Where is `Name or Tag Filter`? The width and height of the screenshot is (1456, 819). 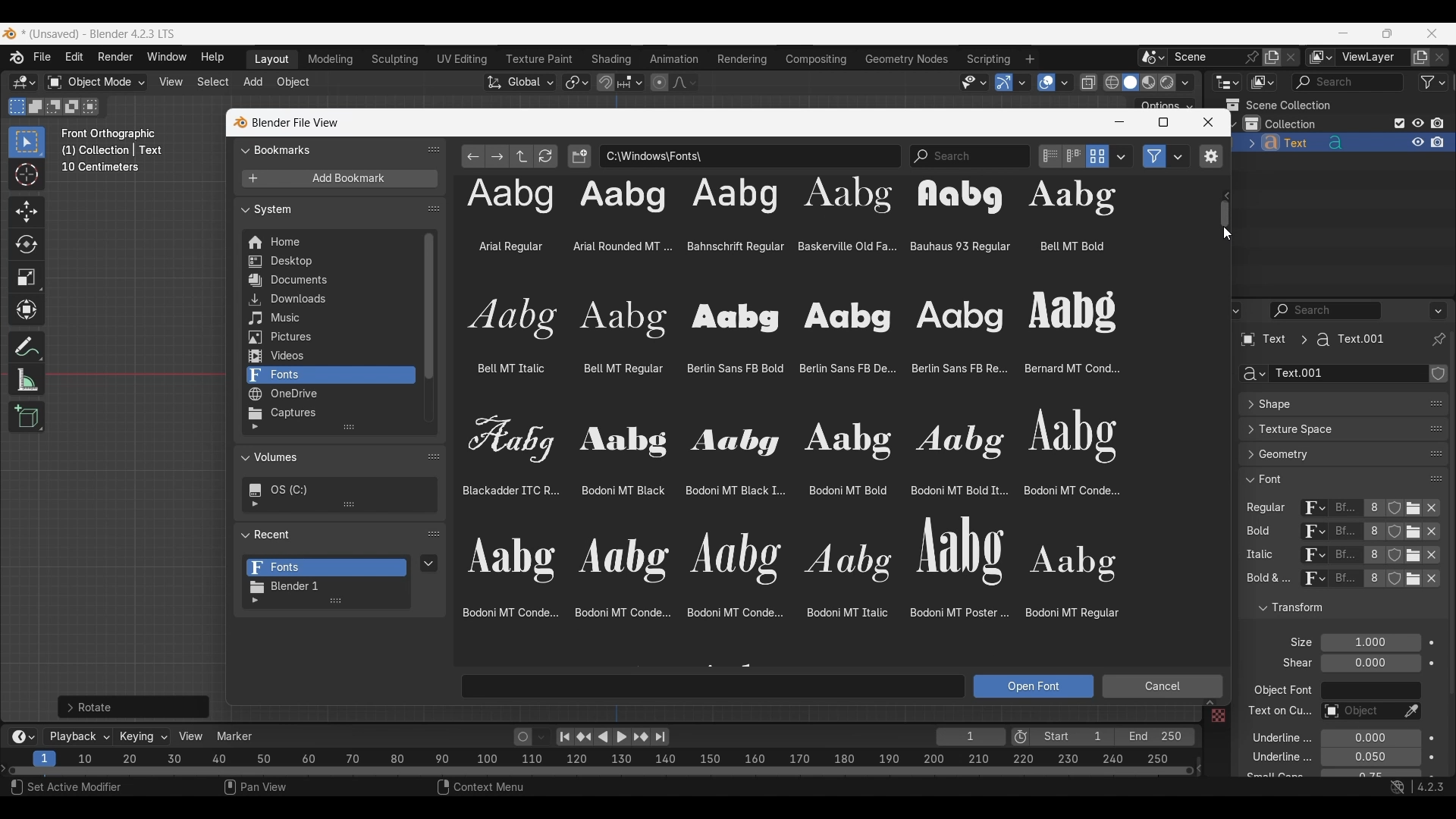 Name or Tag Filter is located at coordinates (970, 156).